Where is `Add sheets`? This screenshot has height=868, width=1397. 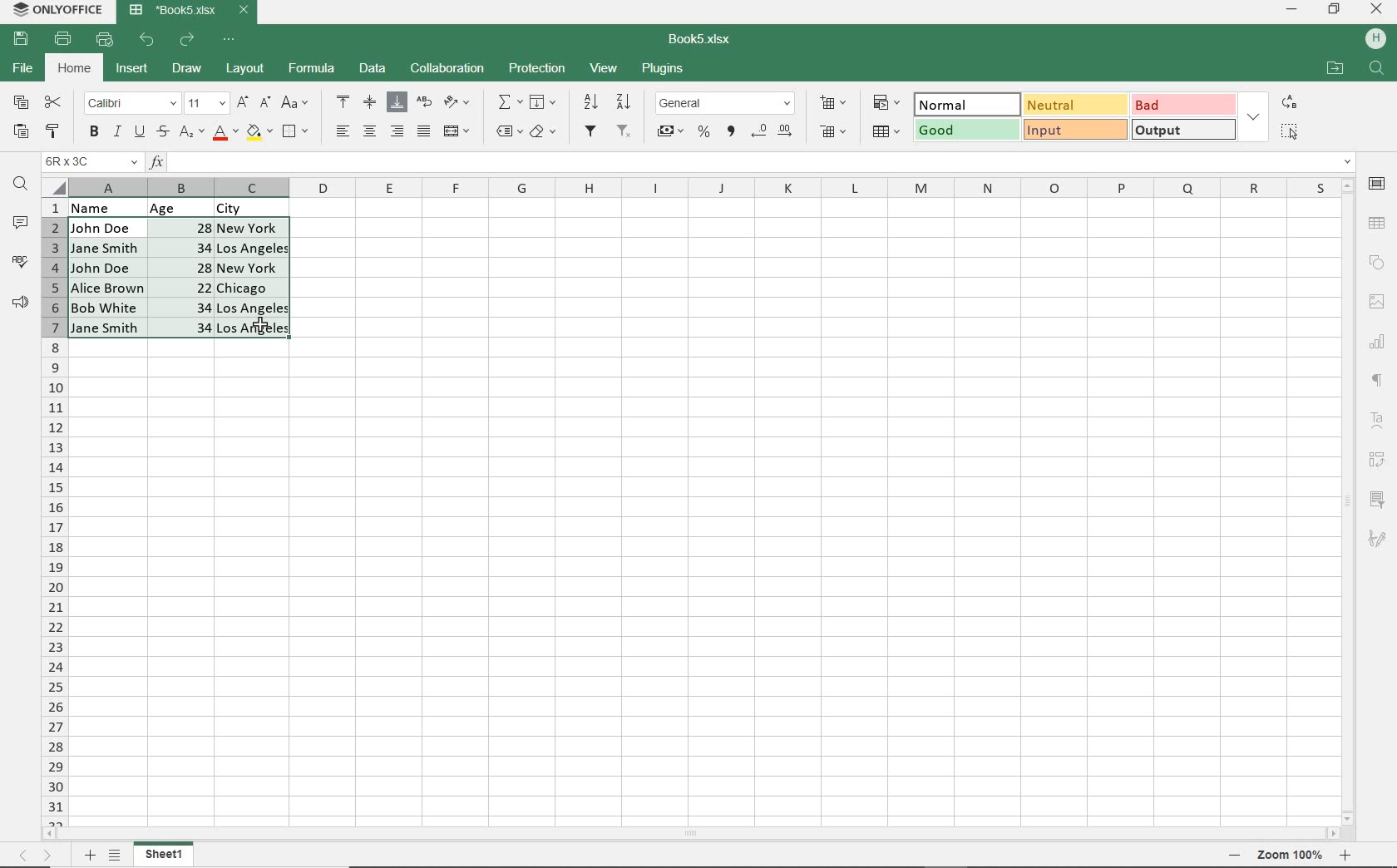
Add sheets is located at coordinates (87, 855).